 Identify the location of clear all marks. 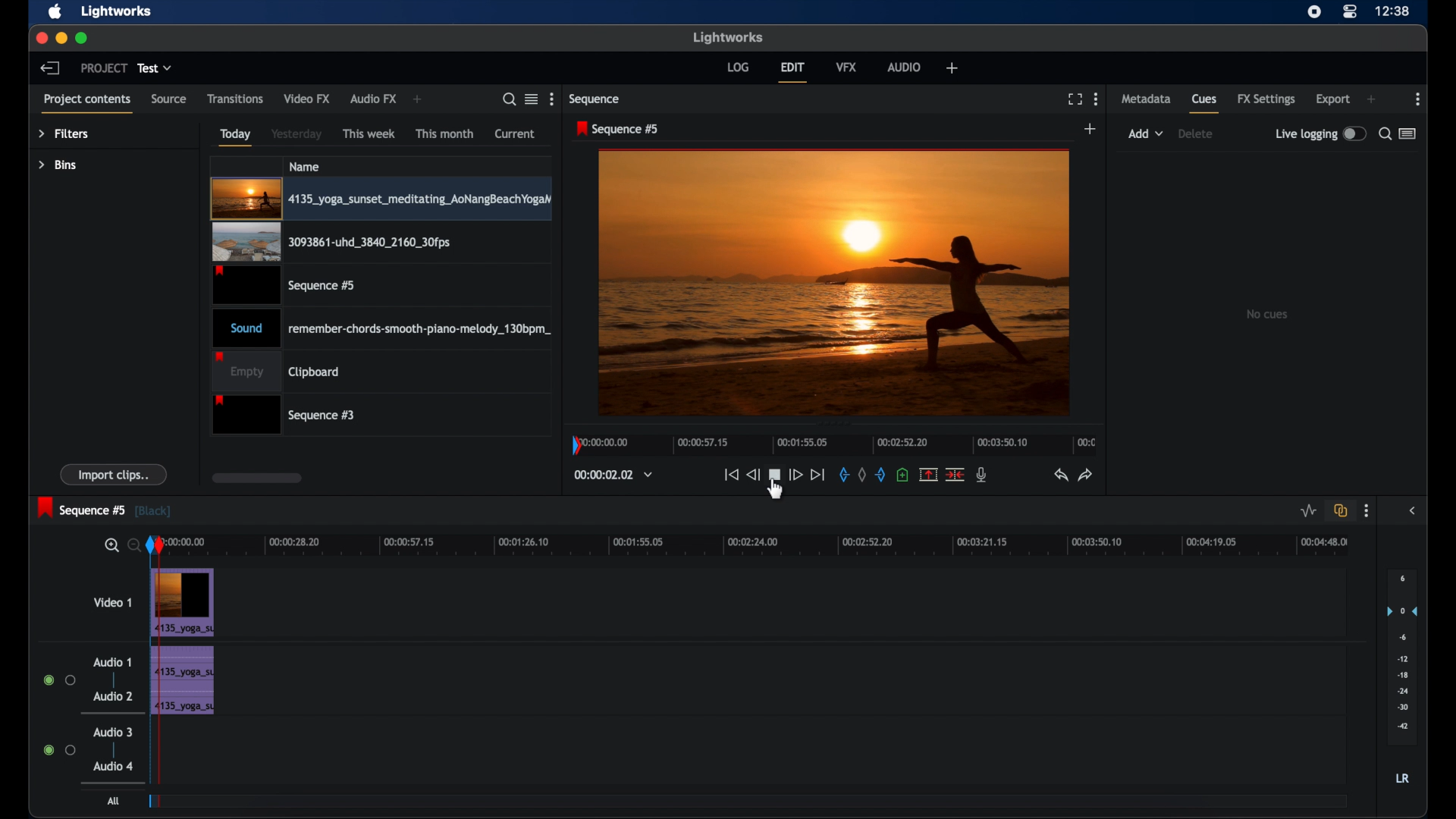
(861, 474).